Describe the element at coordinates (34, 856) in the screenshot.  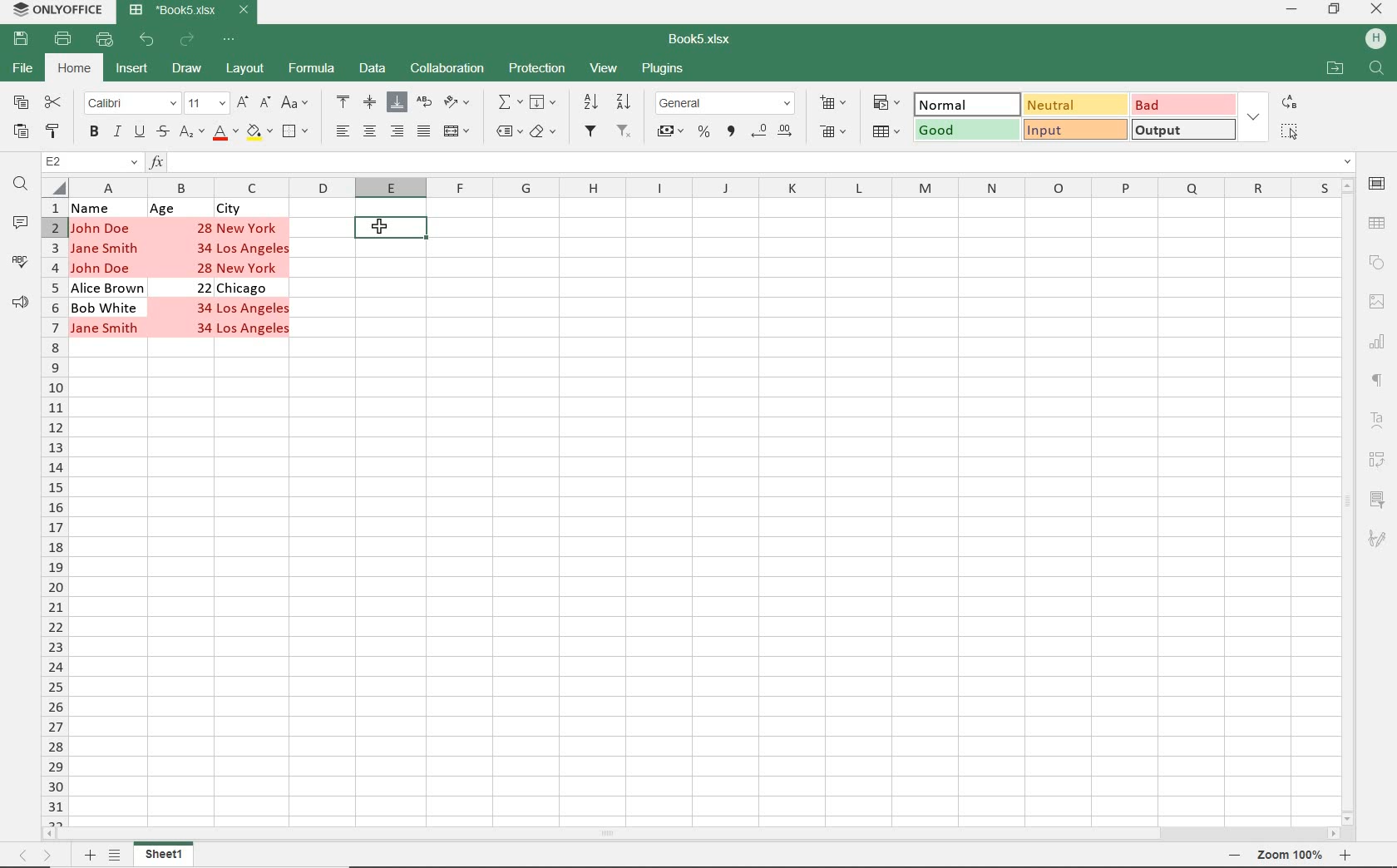
I see `MOVE SHEETS` at that location.